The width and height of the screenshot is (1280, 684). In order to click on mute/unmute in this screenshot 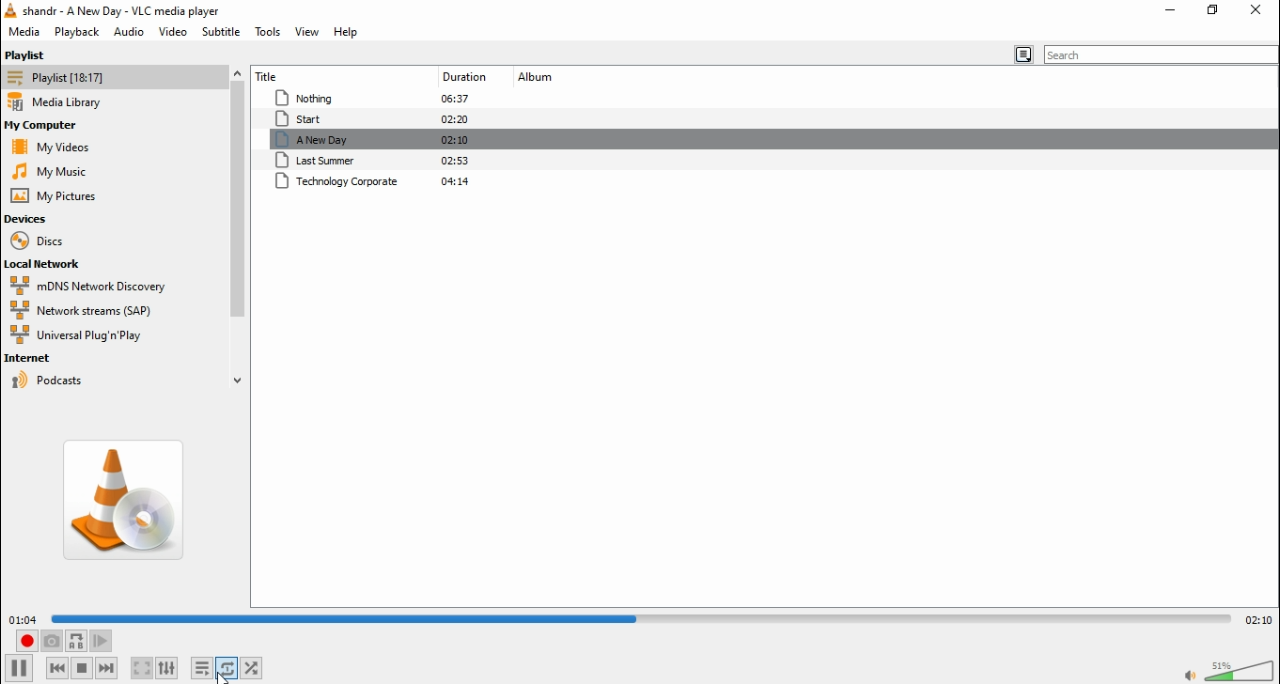, I will do `click(1187, 674)`.